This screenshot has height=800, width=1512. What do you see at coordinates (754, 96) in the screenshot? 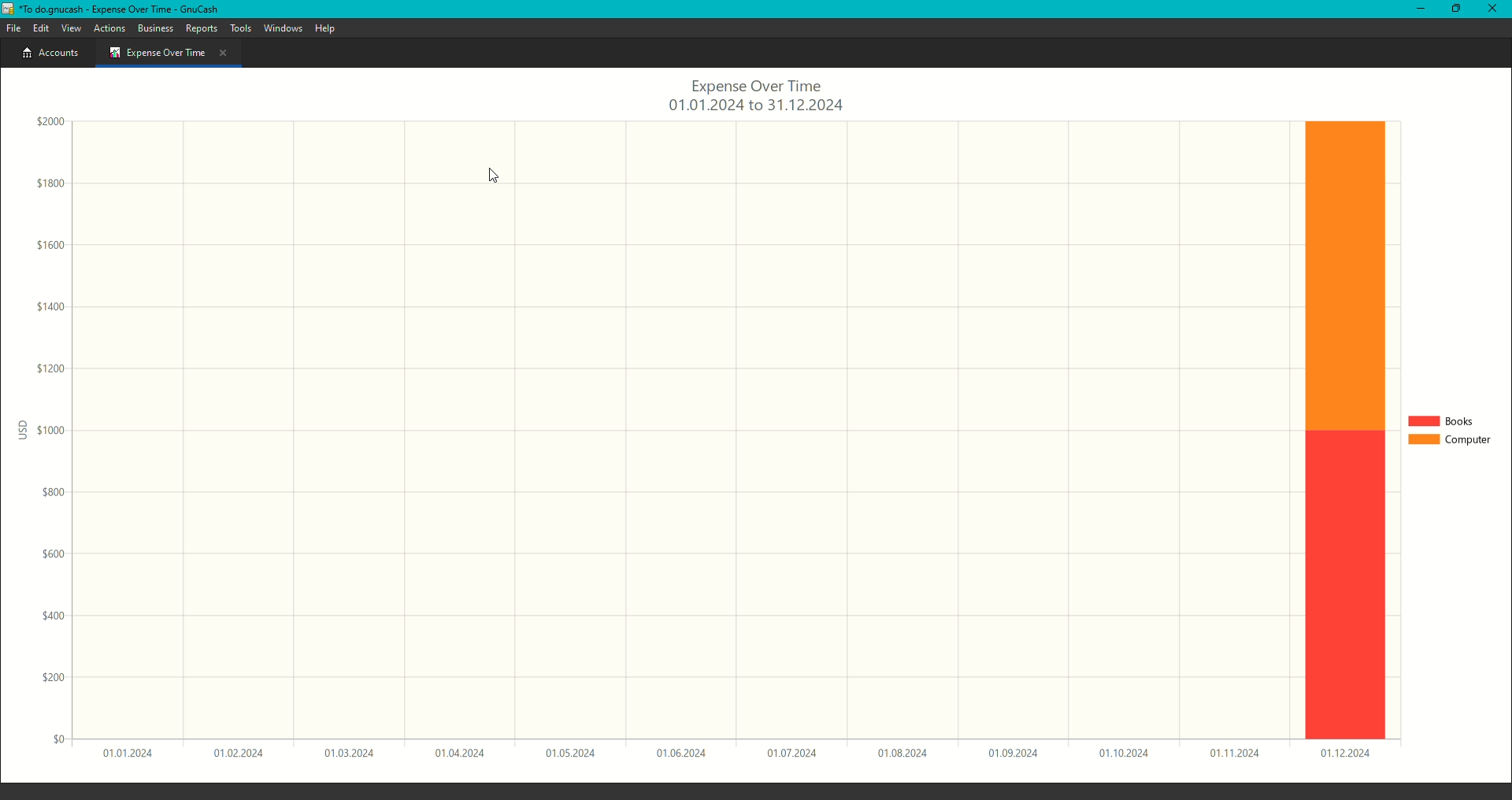
I see `Expense Over Time` at bounding box center [754, 96].